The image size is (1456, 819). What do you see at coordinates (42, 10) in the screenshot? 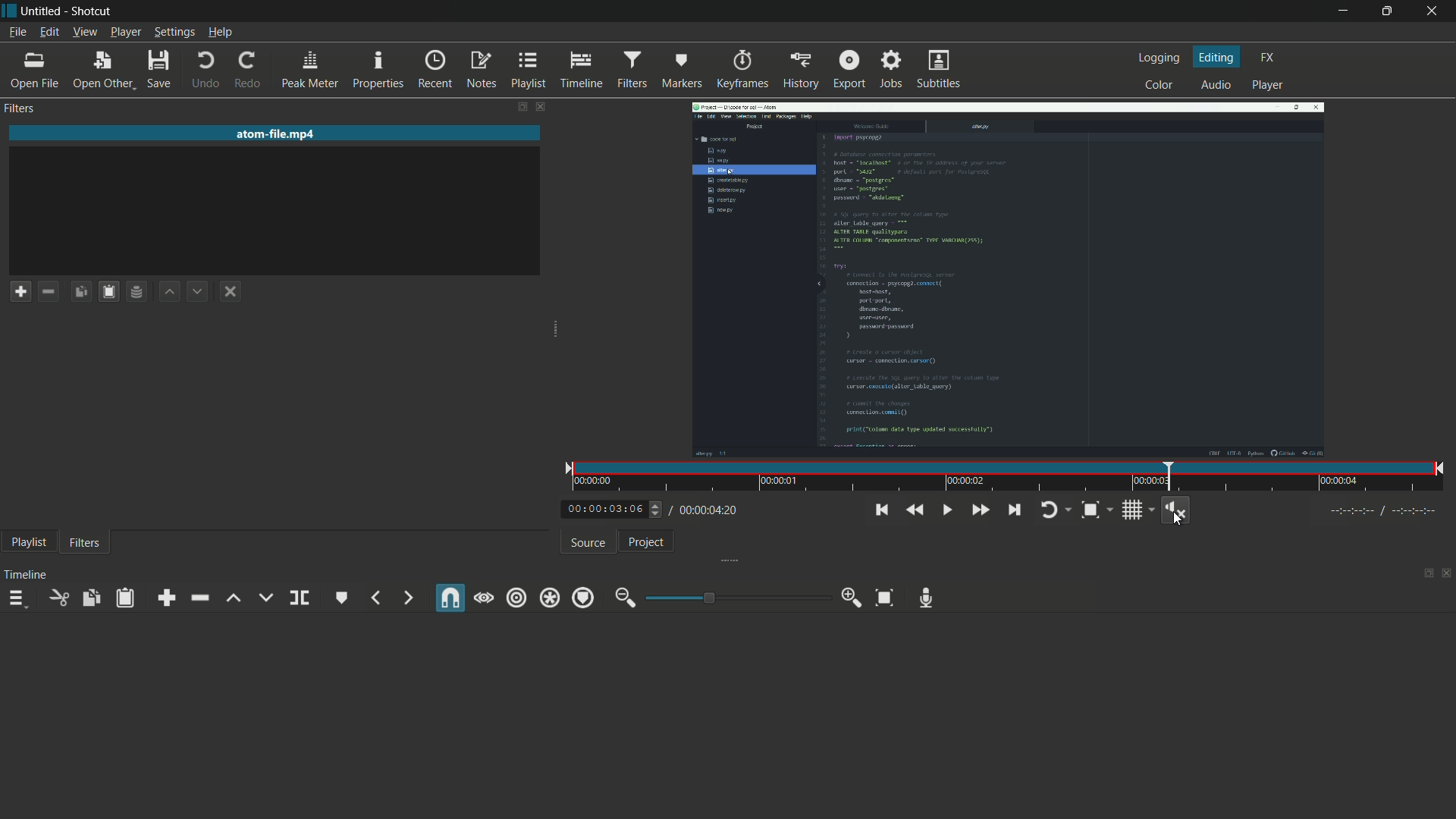
I see `Untitled` at bounding box center [42, 10].